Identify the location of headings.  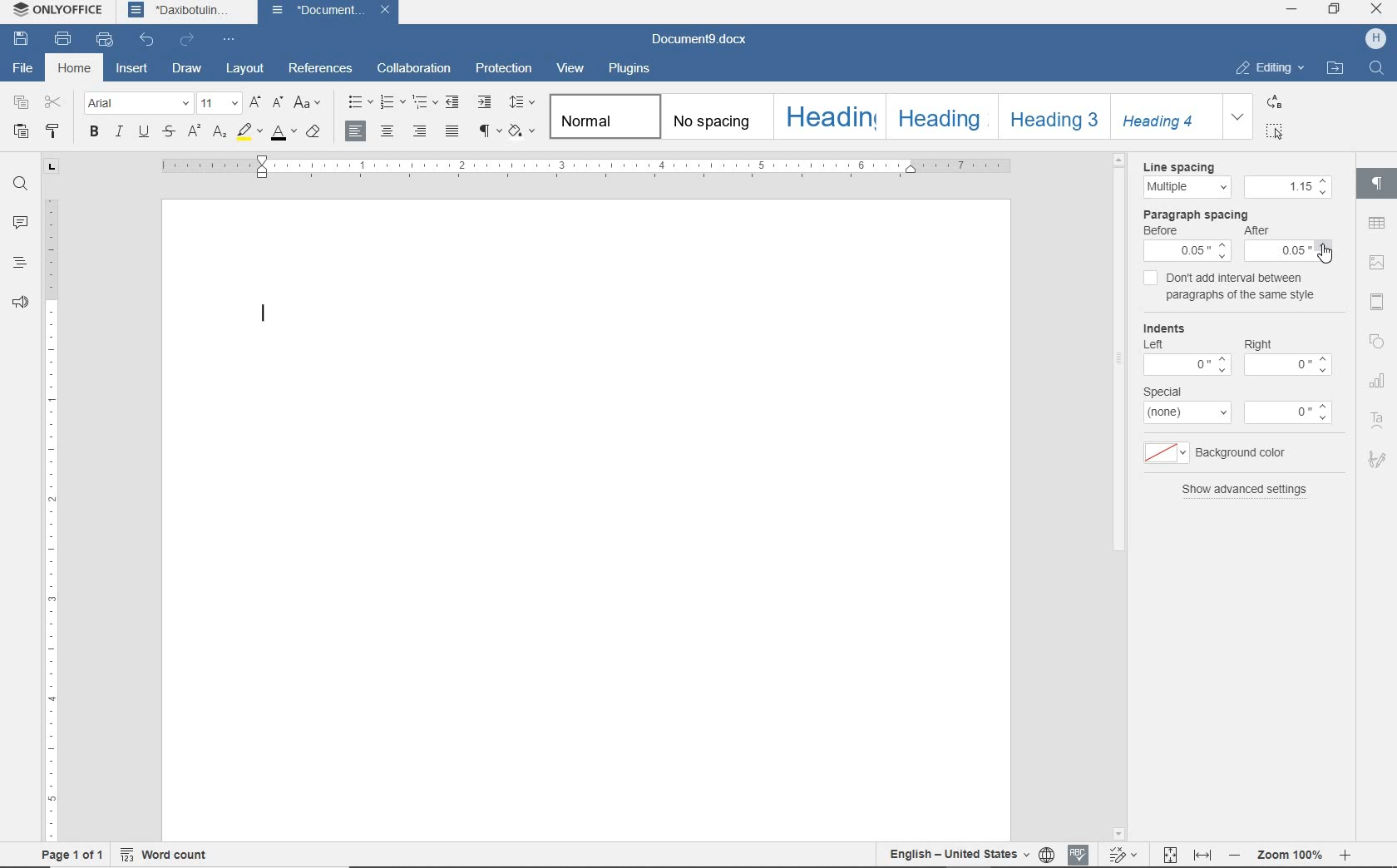
(17, 264).